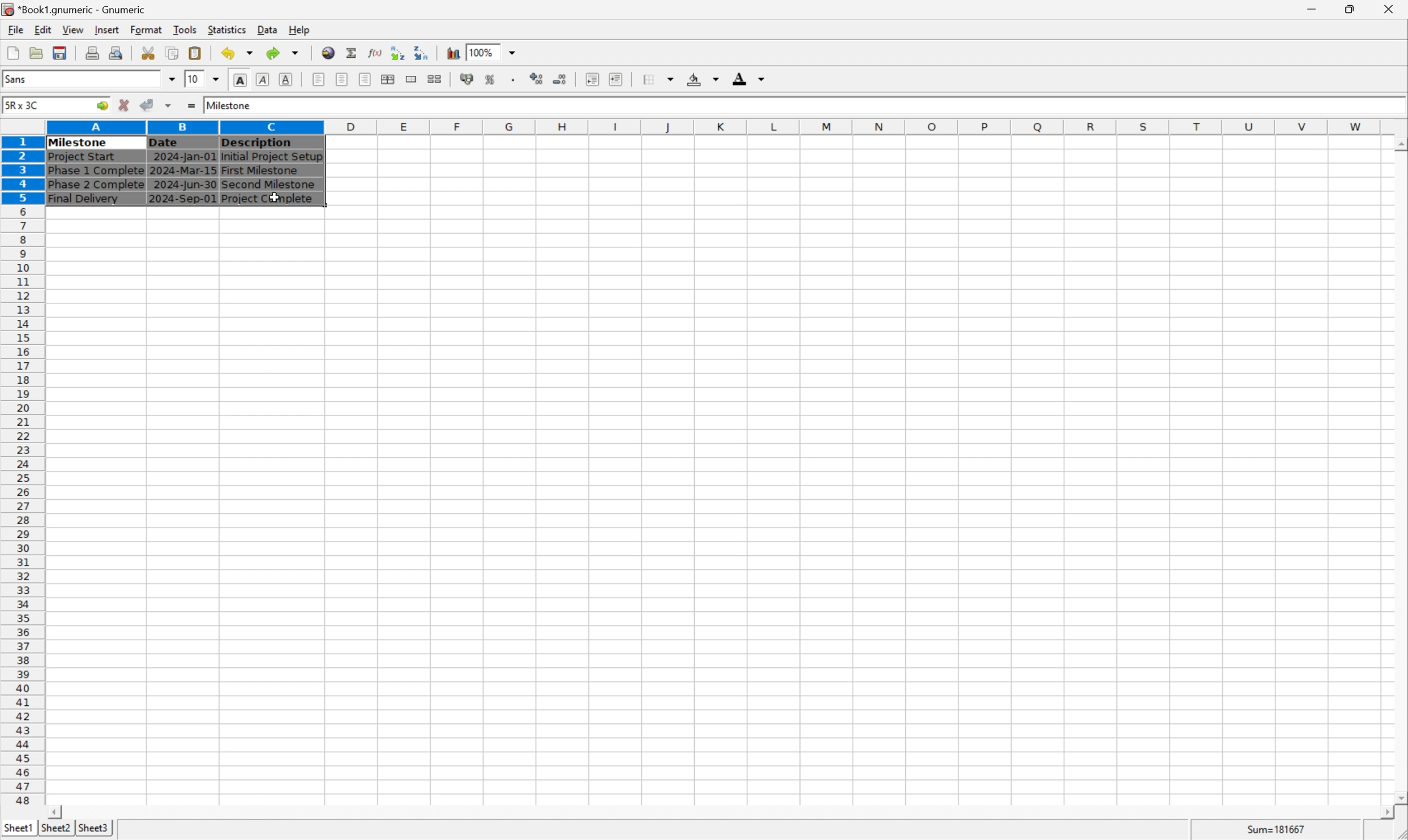 This screenshot has height=840, width=1408. What do you see at coordinates (716, 126) in the screenshot?
I see `column names` at bounding box center [716, 126].